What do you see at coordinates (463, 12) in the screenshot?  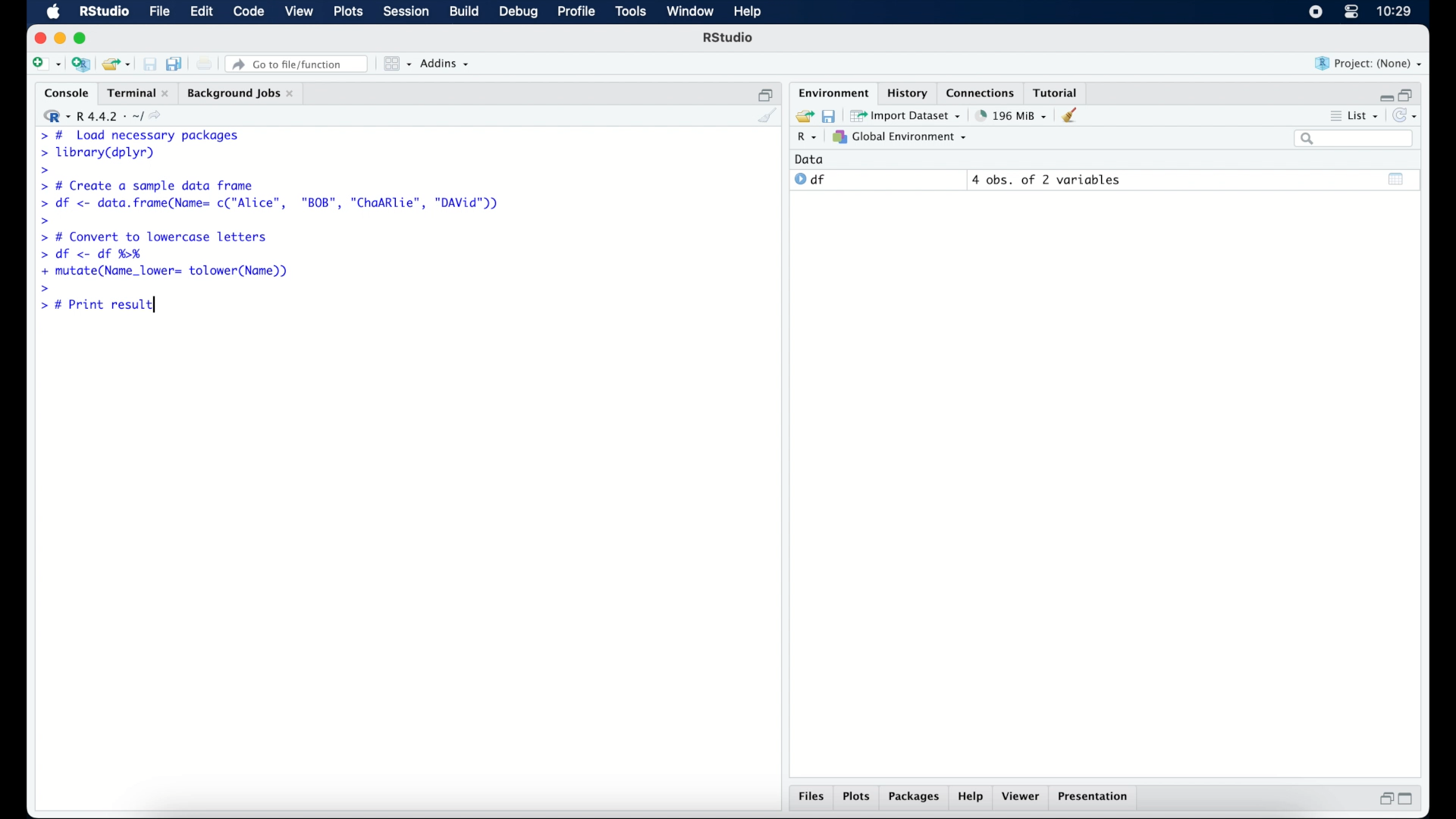 I see `build` at bounding box center [463, 12].